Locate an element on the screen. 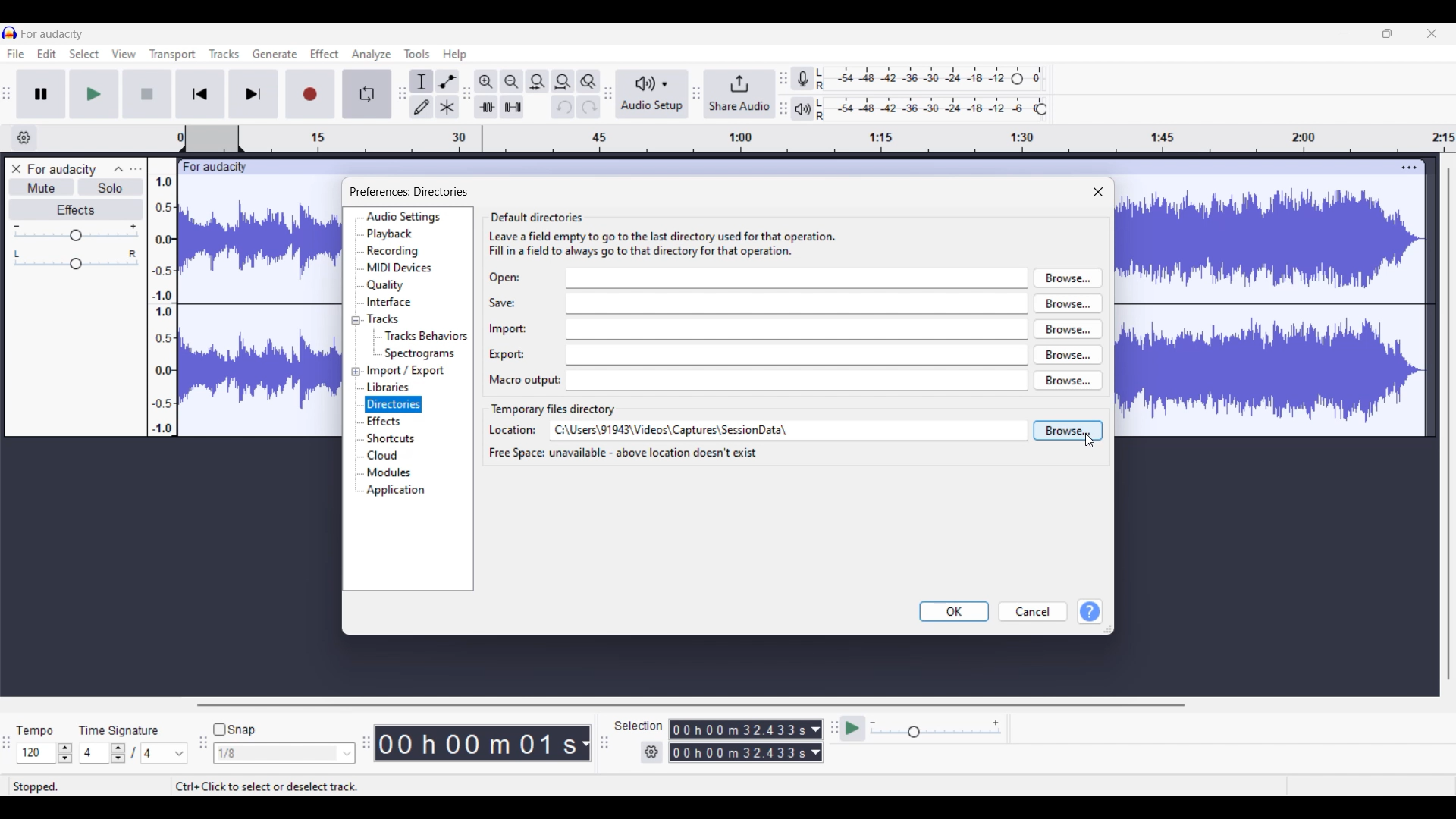 This screenshot has height=819, width=1456. Project name is located at coordinates (213, 168).